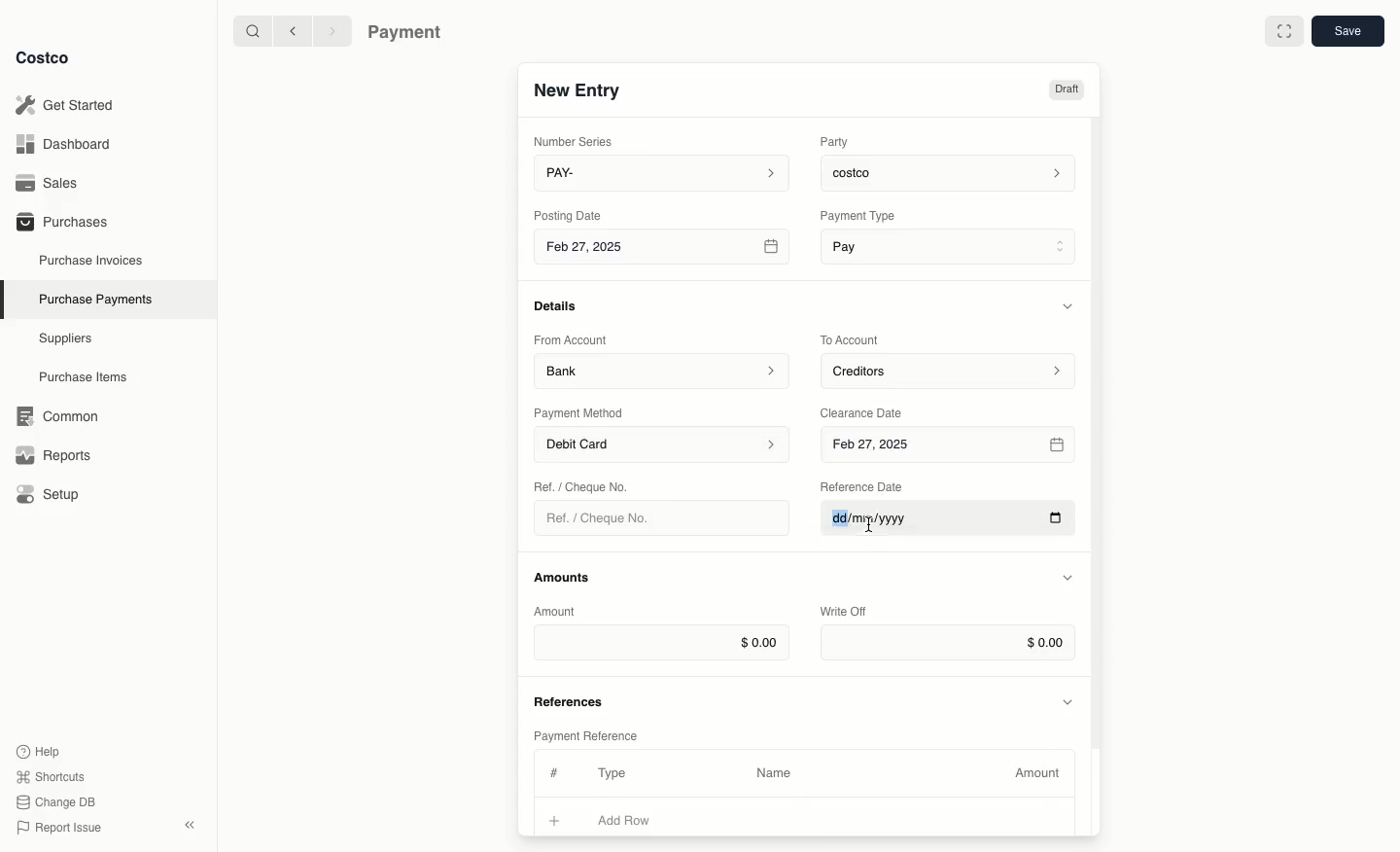 The height and width of the screenshot is (852, 1400). What do you see at coordinates (570, 214) in the screenshot?
I see `Posting Date` at bounding box center [570, 214].